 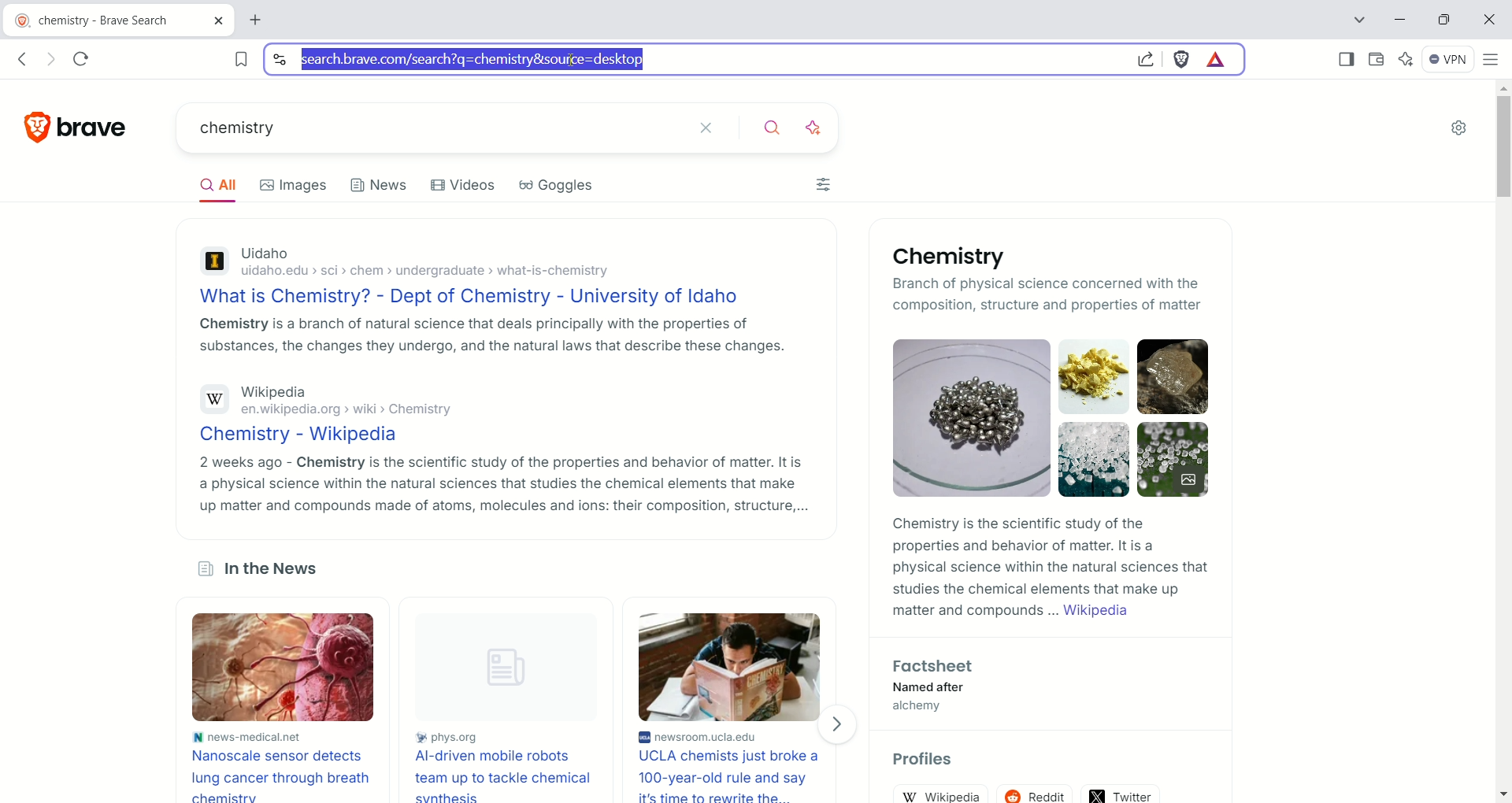 I want to click on blank thumbnail, so click(x=514, y=669).